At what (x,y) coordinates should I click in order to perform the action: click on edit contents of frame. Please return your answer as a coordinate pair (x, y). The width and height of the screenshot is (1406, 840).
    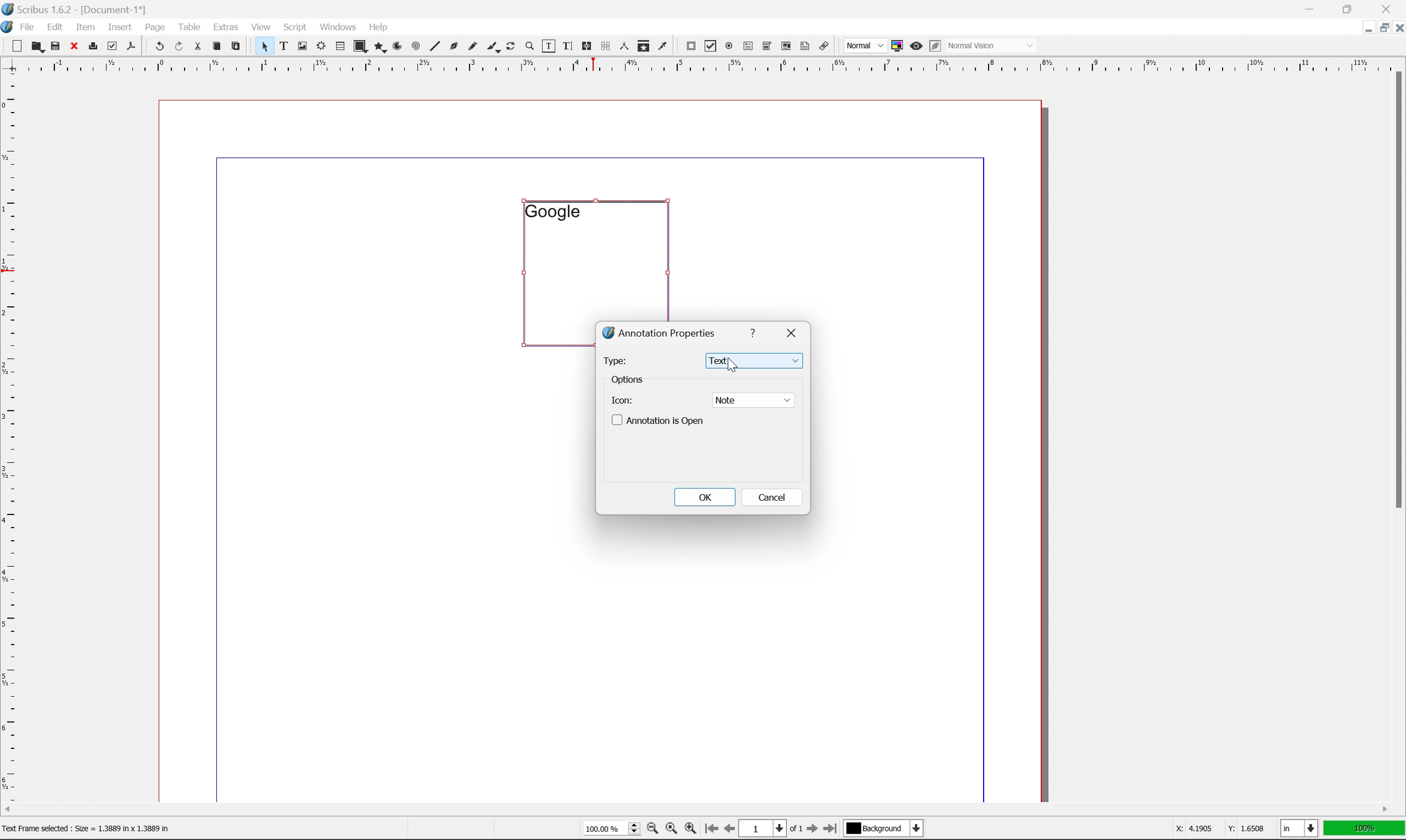
    Looking at the image, I should click on (548, 45).